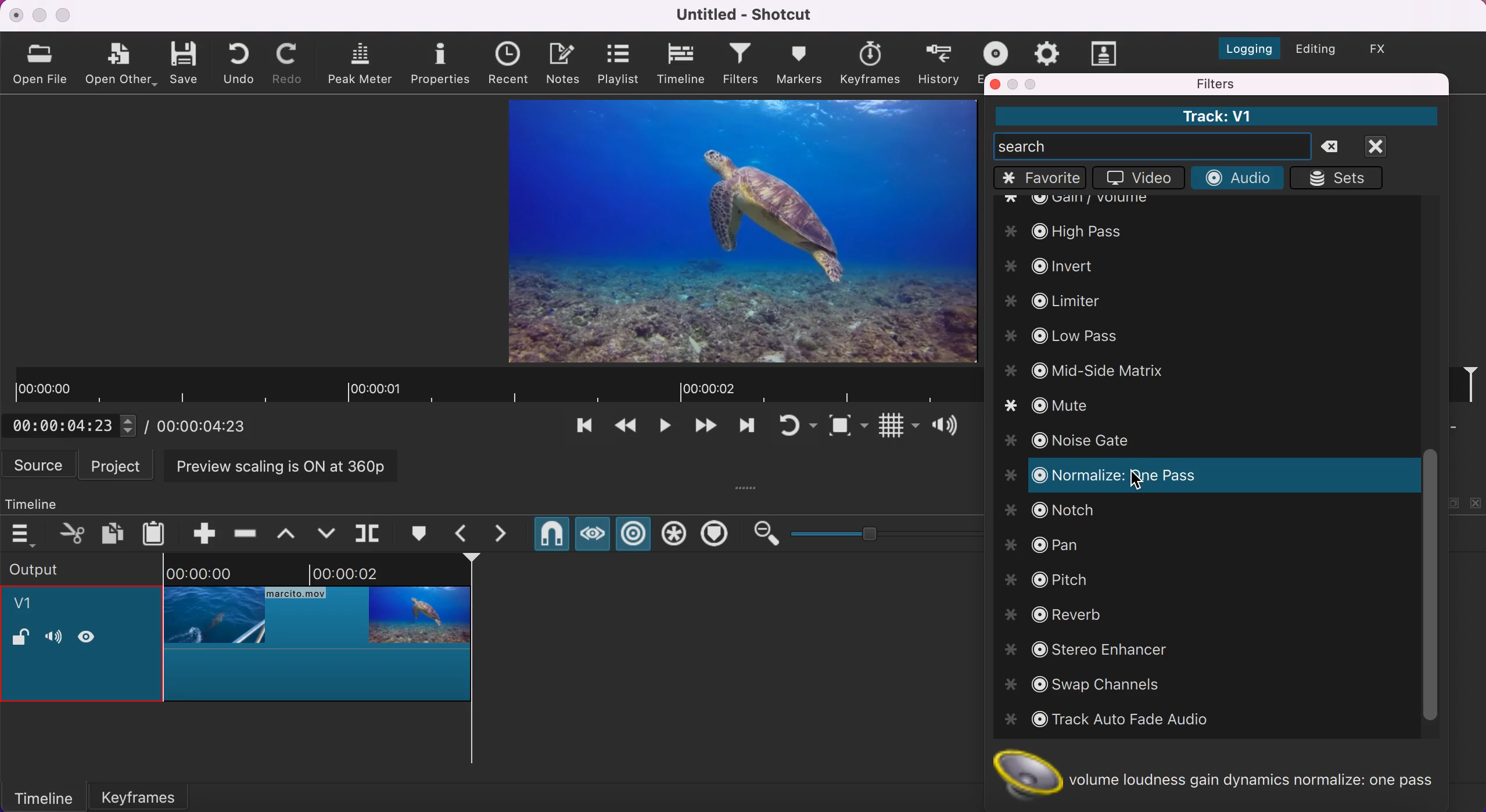 The width and height of the screenshot is (1486, 812). Describe the element at coordinates (1047, 541) in the screenshot. I see `pan` at that location.